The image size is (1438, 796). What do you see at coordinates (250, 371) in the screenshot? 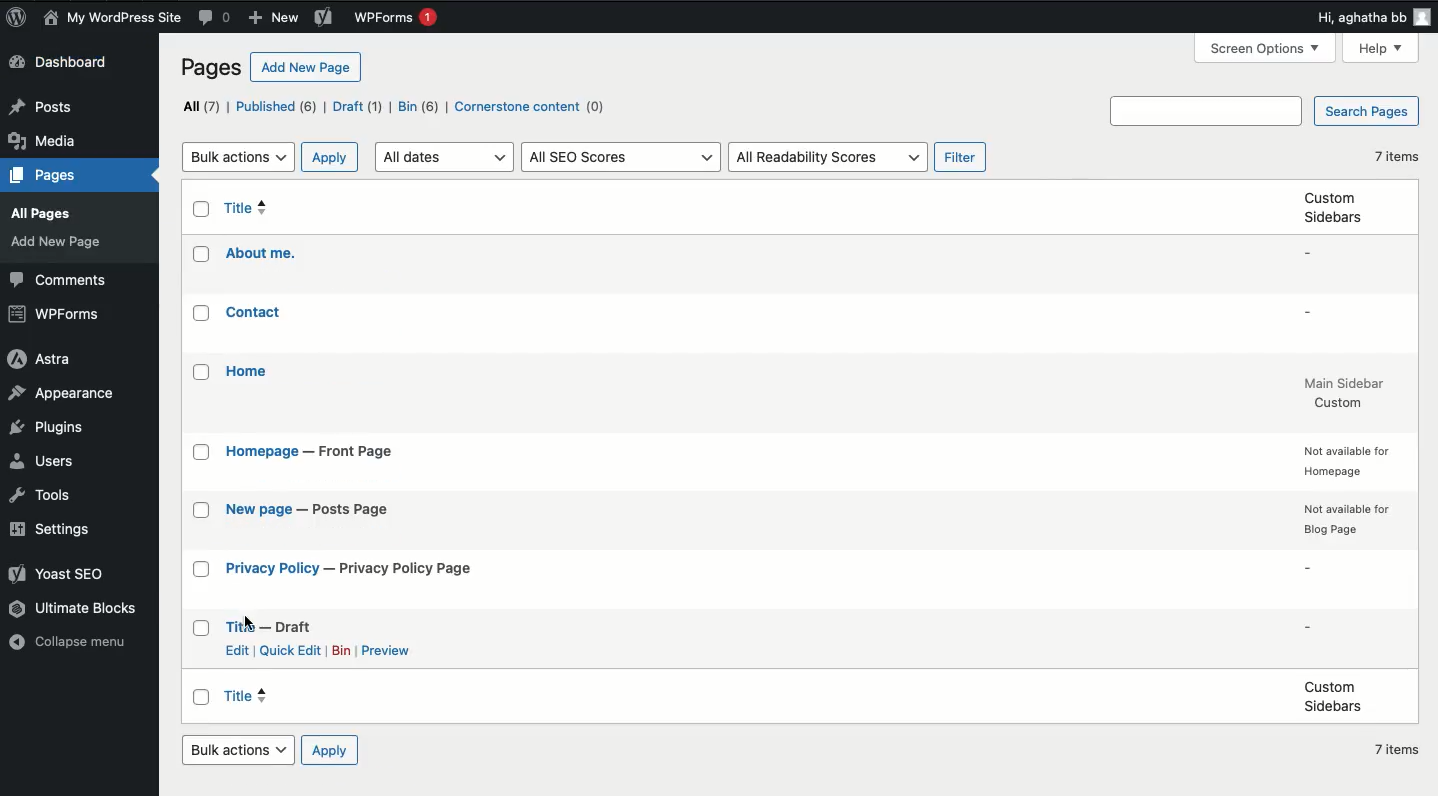
I see `Title` at bounding box center [250, 371].